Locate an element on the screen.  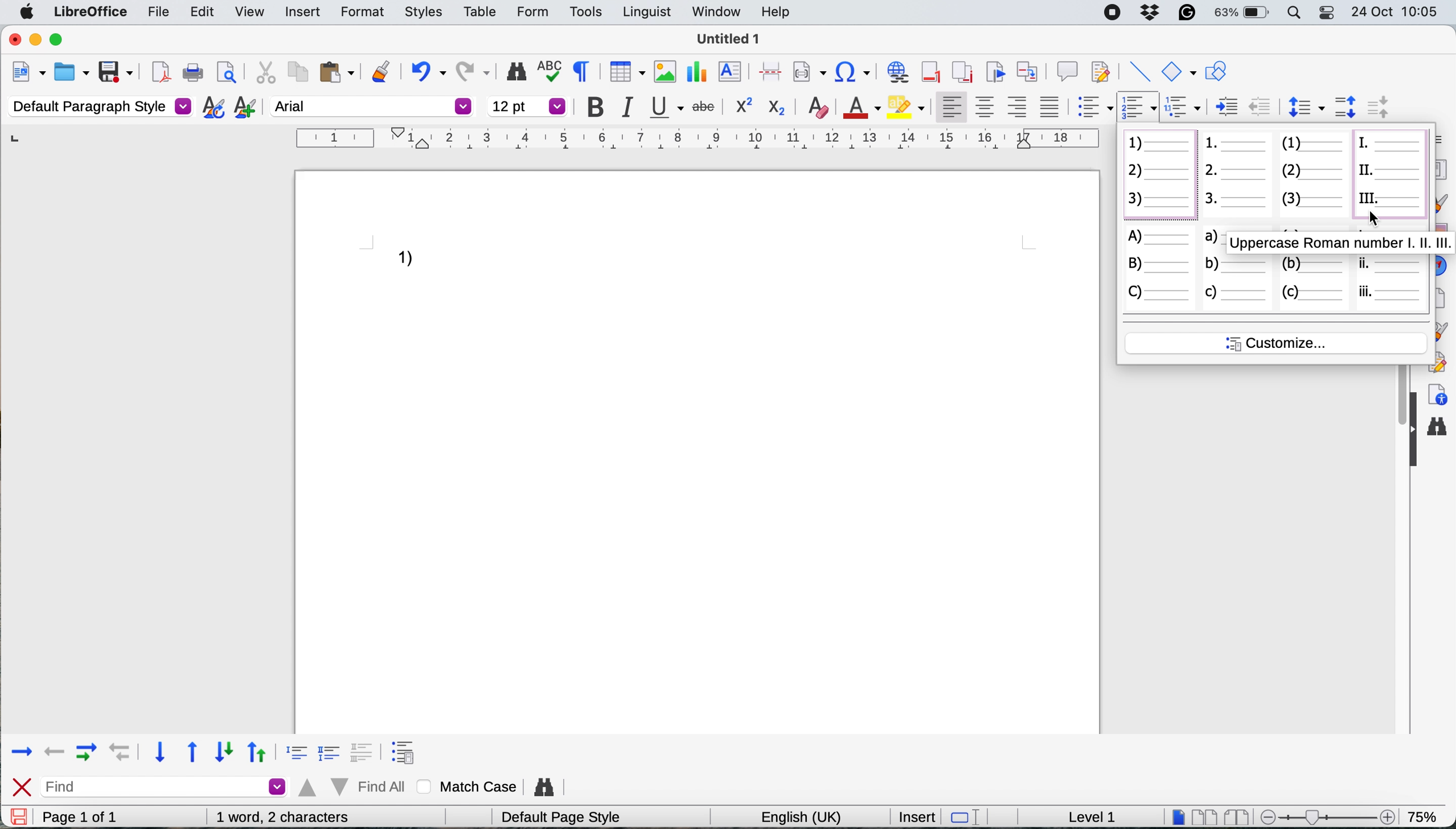
0 words, 0 characters is located at coordinates (297, 816).